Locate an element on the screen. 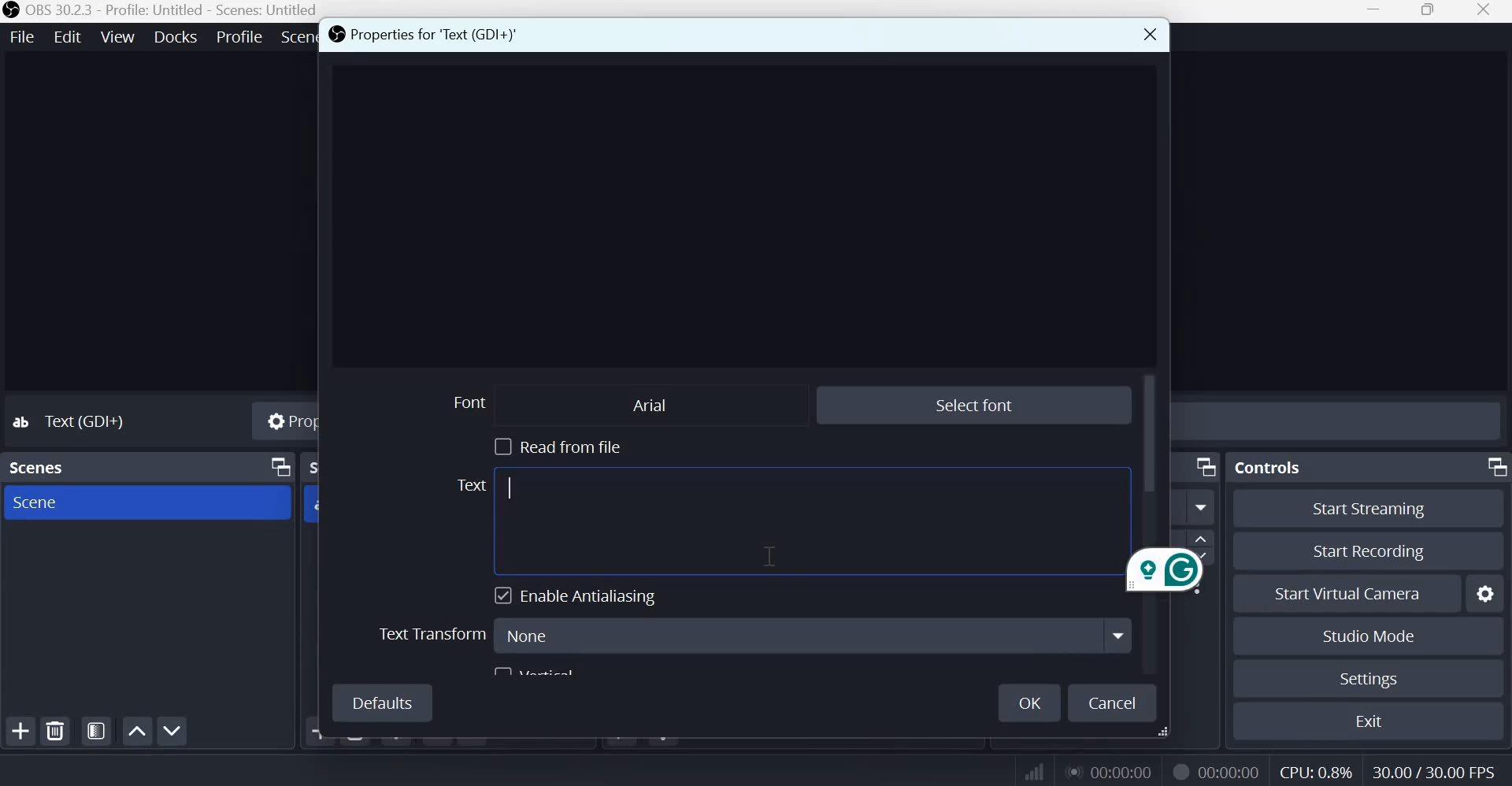 The image size is (1512, 786). Studio mode is located at coordinates (1369, 637).